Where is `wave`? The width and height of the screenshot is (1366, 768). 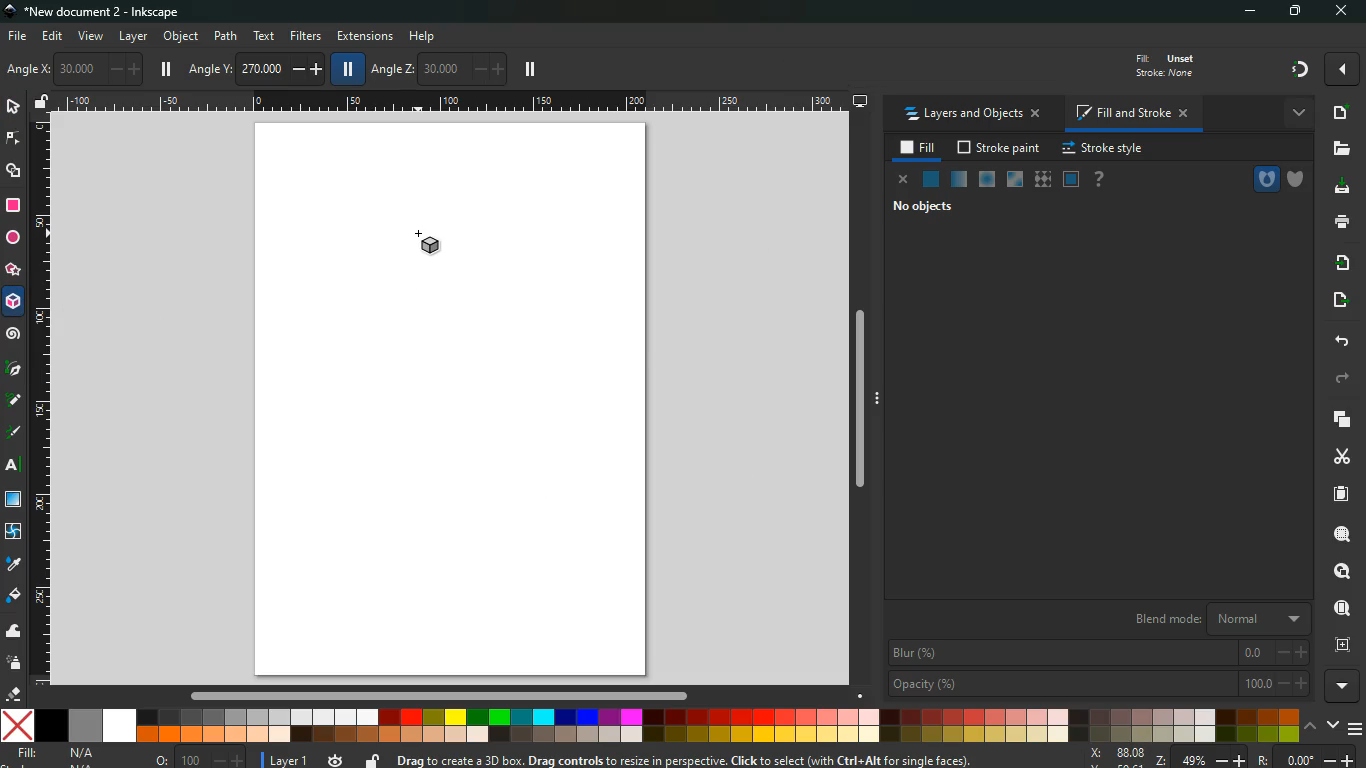 wave is located at coordinates (14, 633).